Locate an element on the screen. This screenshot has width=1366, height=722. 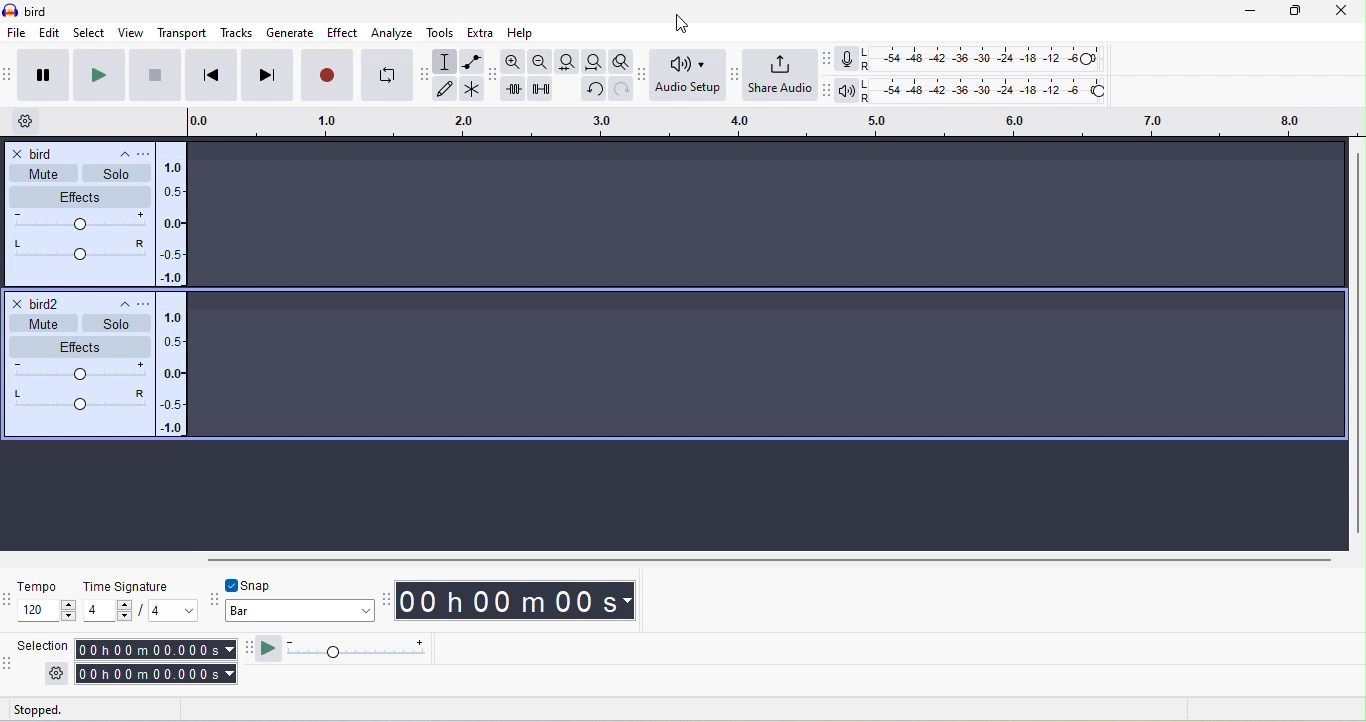
undo is located at coordinates (591, 92).